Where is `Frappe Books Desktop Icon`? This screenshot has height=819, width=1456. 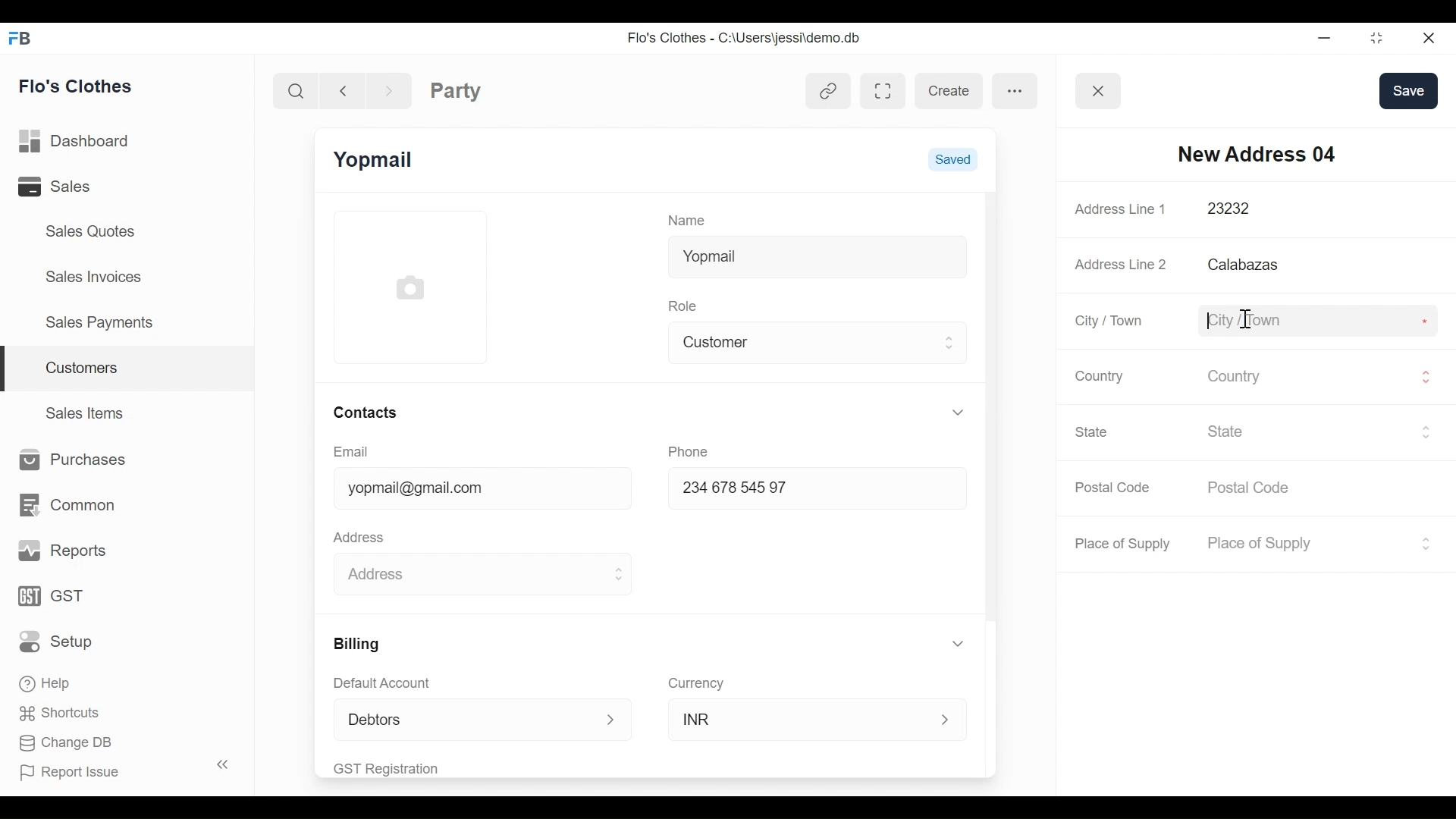 Frappe Books Desktop Icon is located at coordinates (18, 39).